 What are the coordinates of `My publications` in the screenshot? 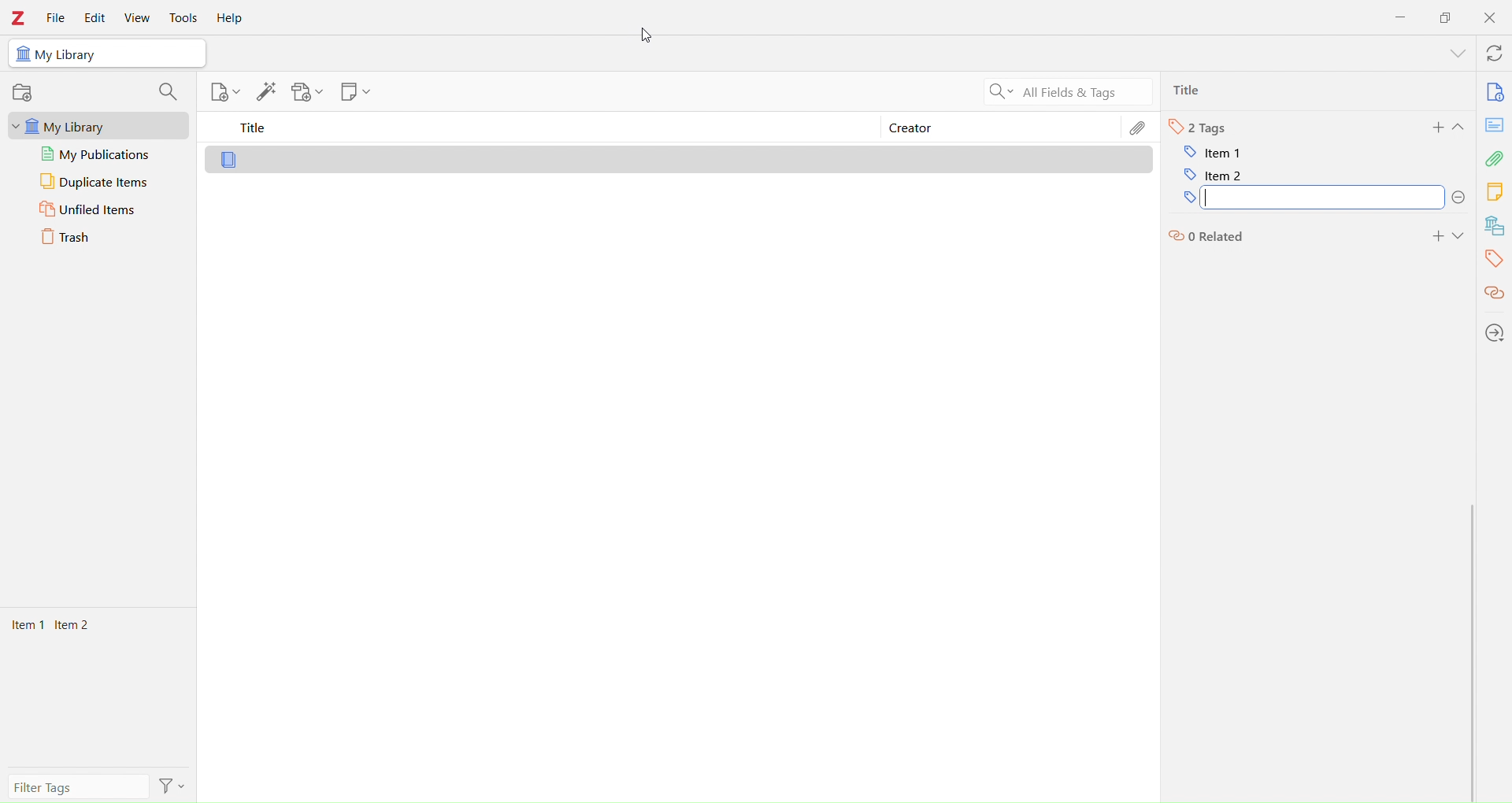 It's located at (96, 154).